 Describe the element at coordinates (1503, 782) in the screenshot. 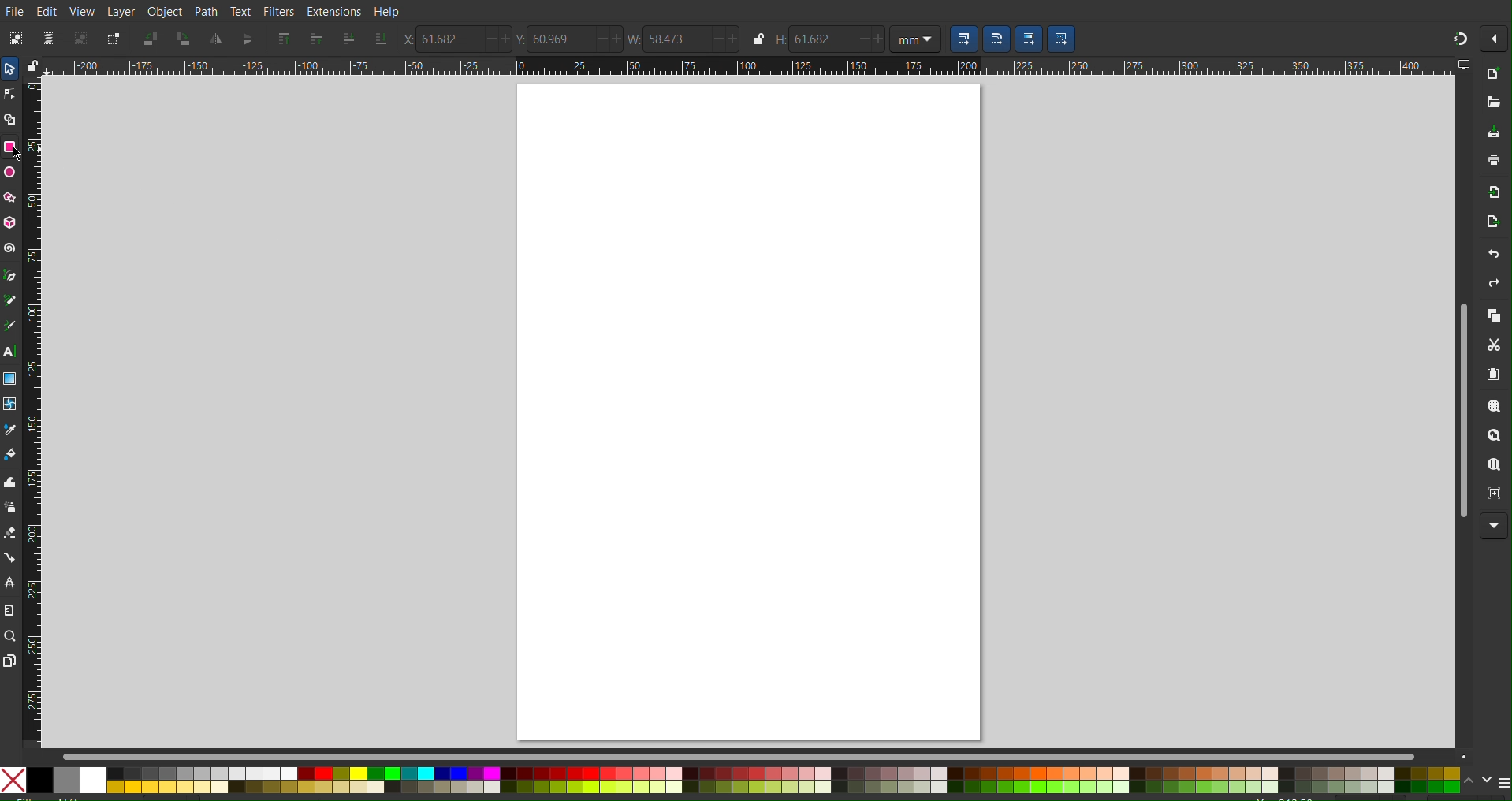

I see `menu` at that location.